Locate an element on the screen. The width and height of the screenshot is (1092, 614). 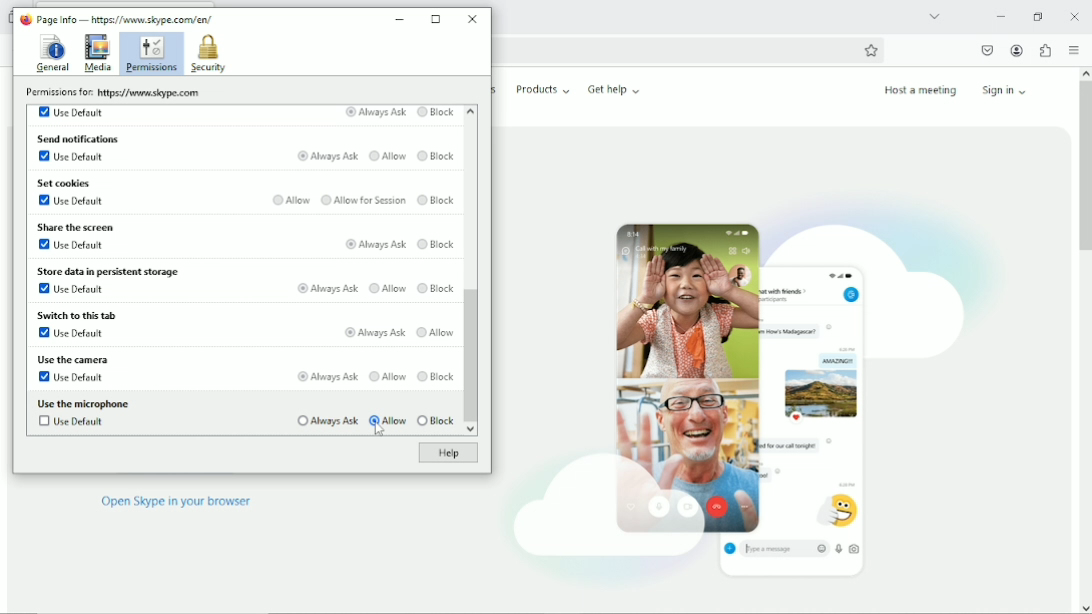
Use default is located at coordinates (74, 112).